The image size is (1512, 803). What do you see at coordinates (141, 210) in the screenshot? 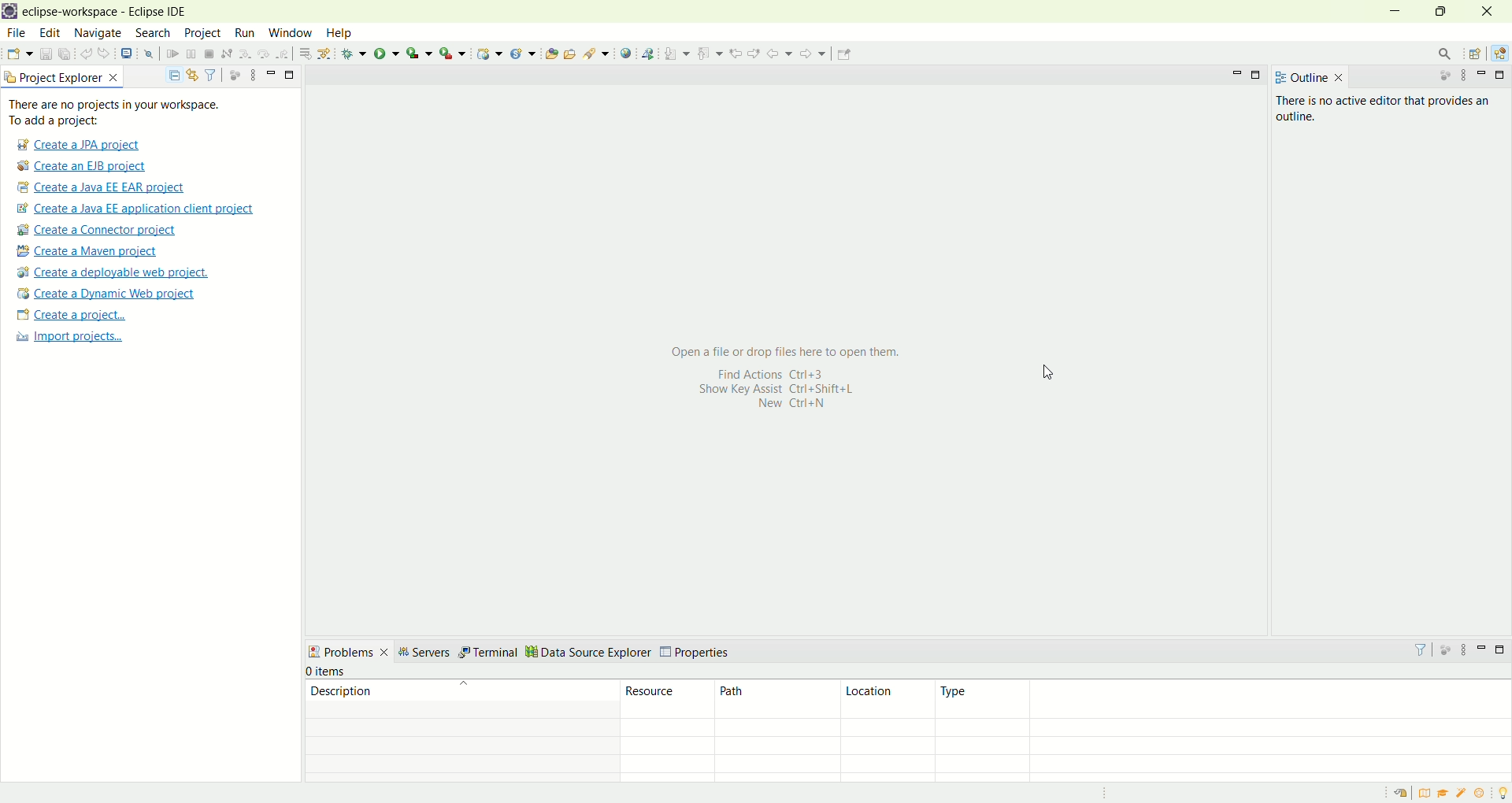
I see `create a Java EE application client project` at bounding box center [141, 210].